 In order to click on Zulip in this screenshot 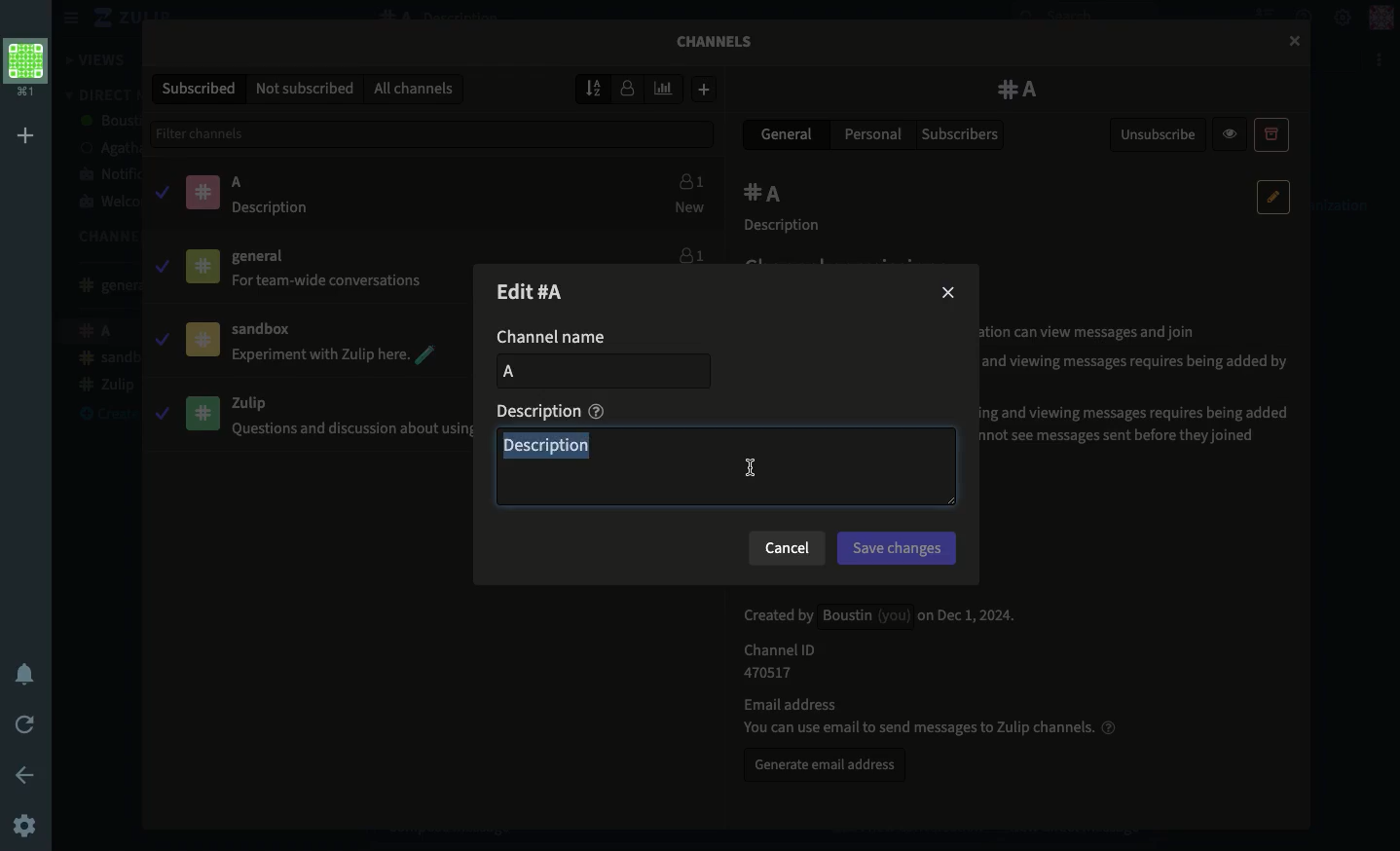, I will do `click(112, 18)`.